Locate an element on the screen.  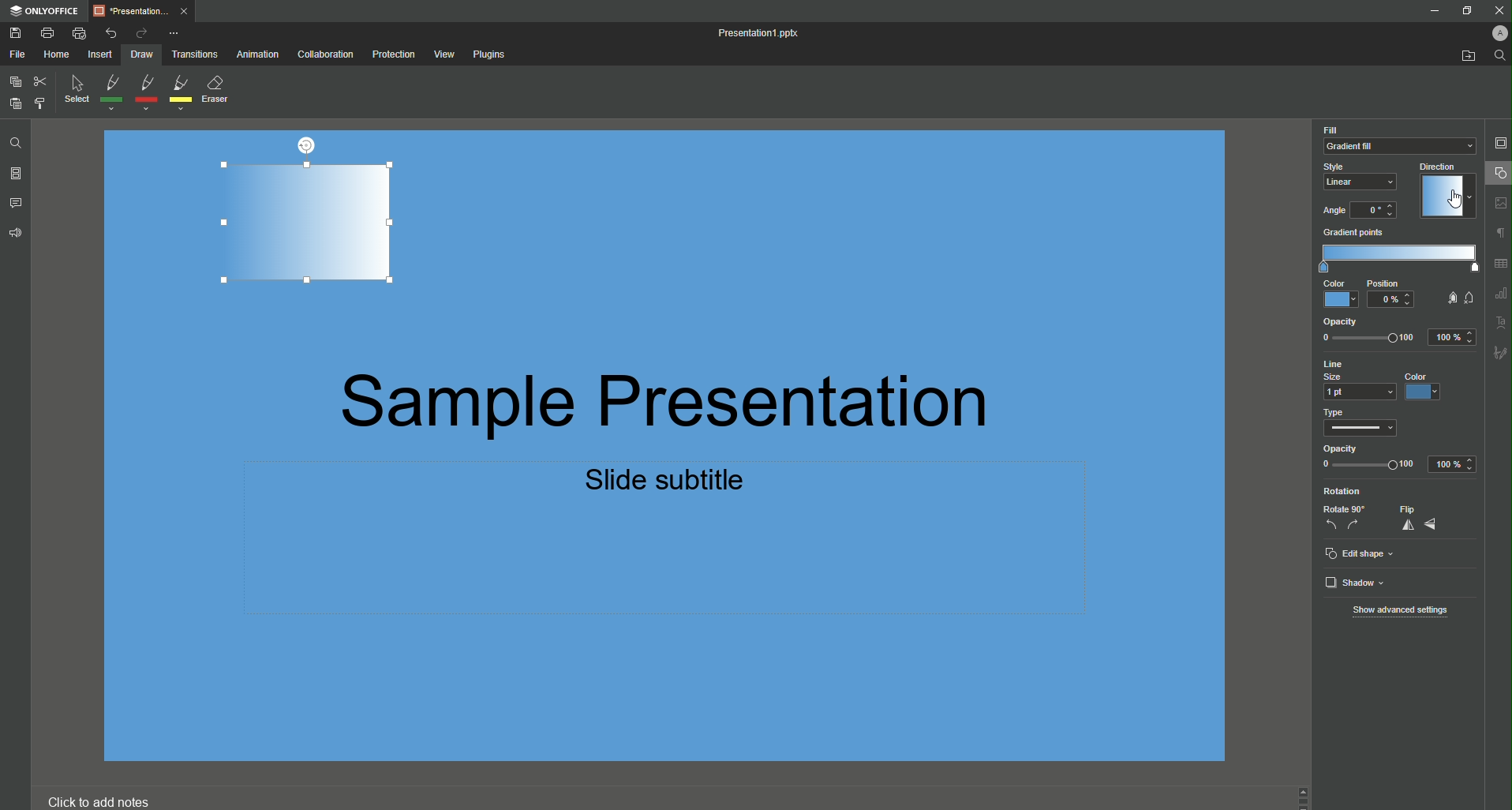
Slide Settings is located at coordinates (1500, 143).